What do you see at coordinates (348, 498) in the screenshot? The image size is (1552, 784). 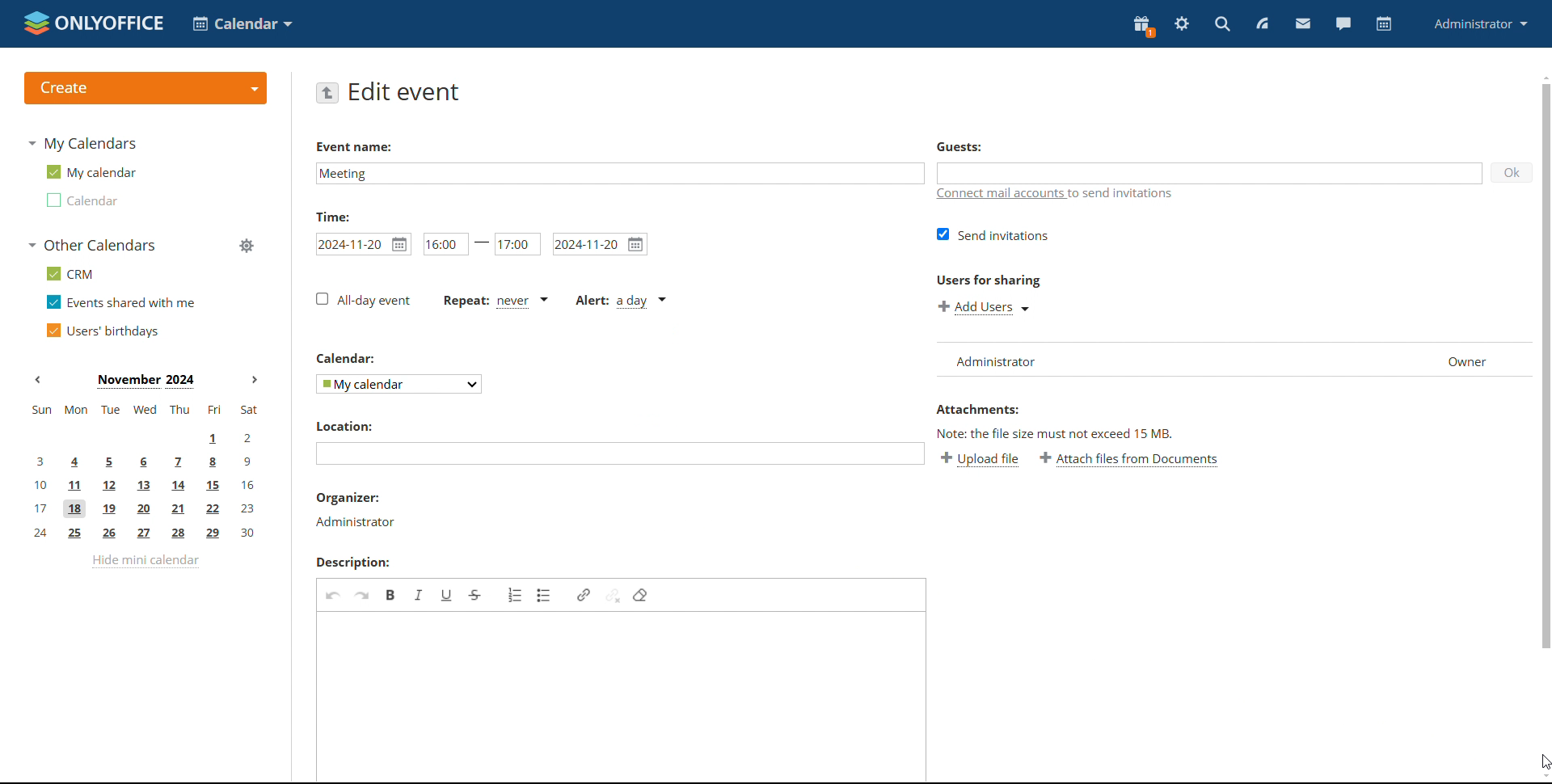 I see `organiser` at bounding box center [348, 498].